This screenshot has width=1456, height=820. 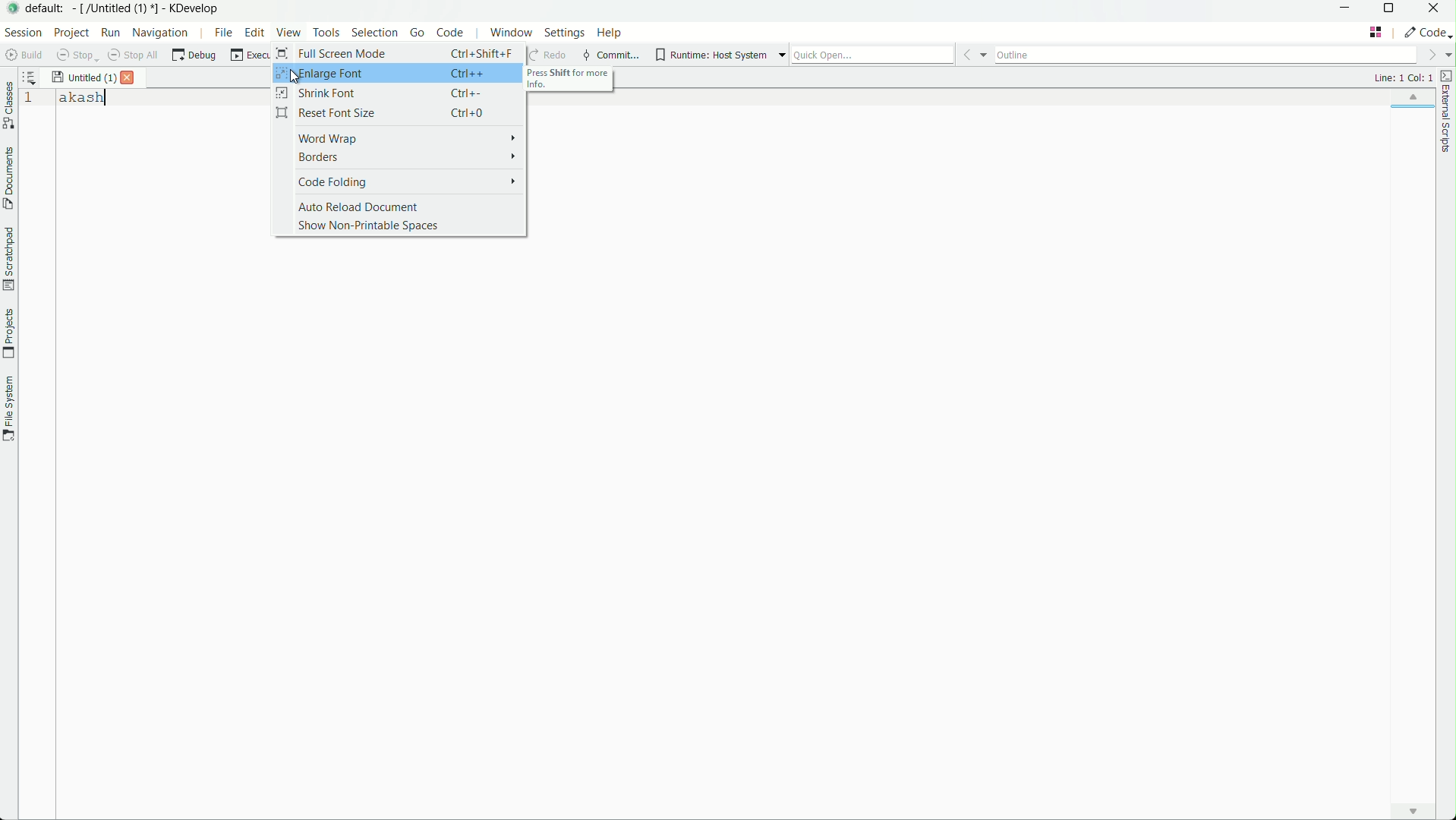 What do you see at coordinates (397, 52) in the screenshot?
I see `full screen mode` at bounding box center [397, 52].